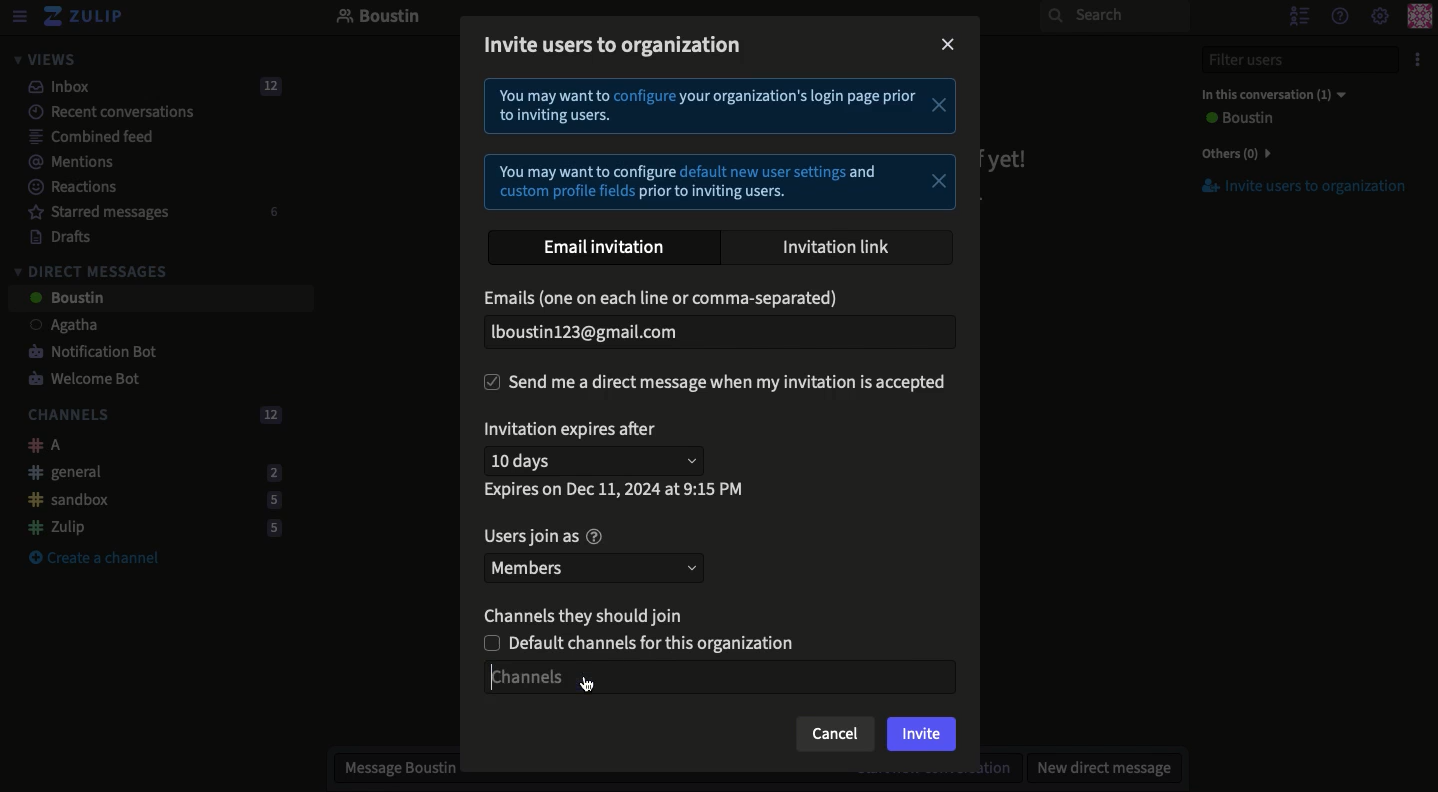 Image resolution: width=1438 pixels, height=792 pixels. Describe the element at coordinates (948, 45) in the screenshot. I see `` at that location.